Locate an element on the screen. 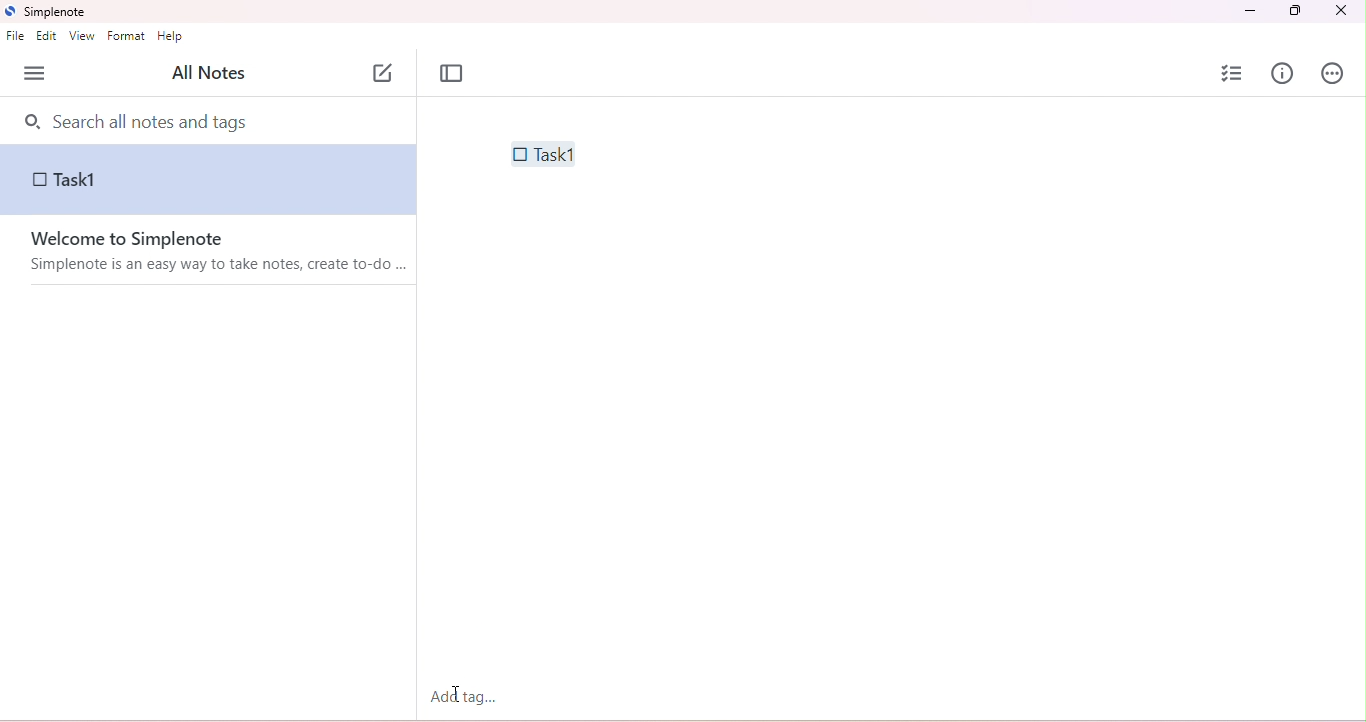 This screenshot has width=1366, height=722. all notes is located at coordinates (207, 74).